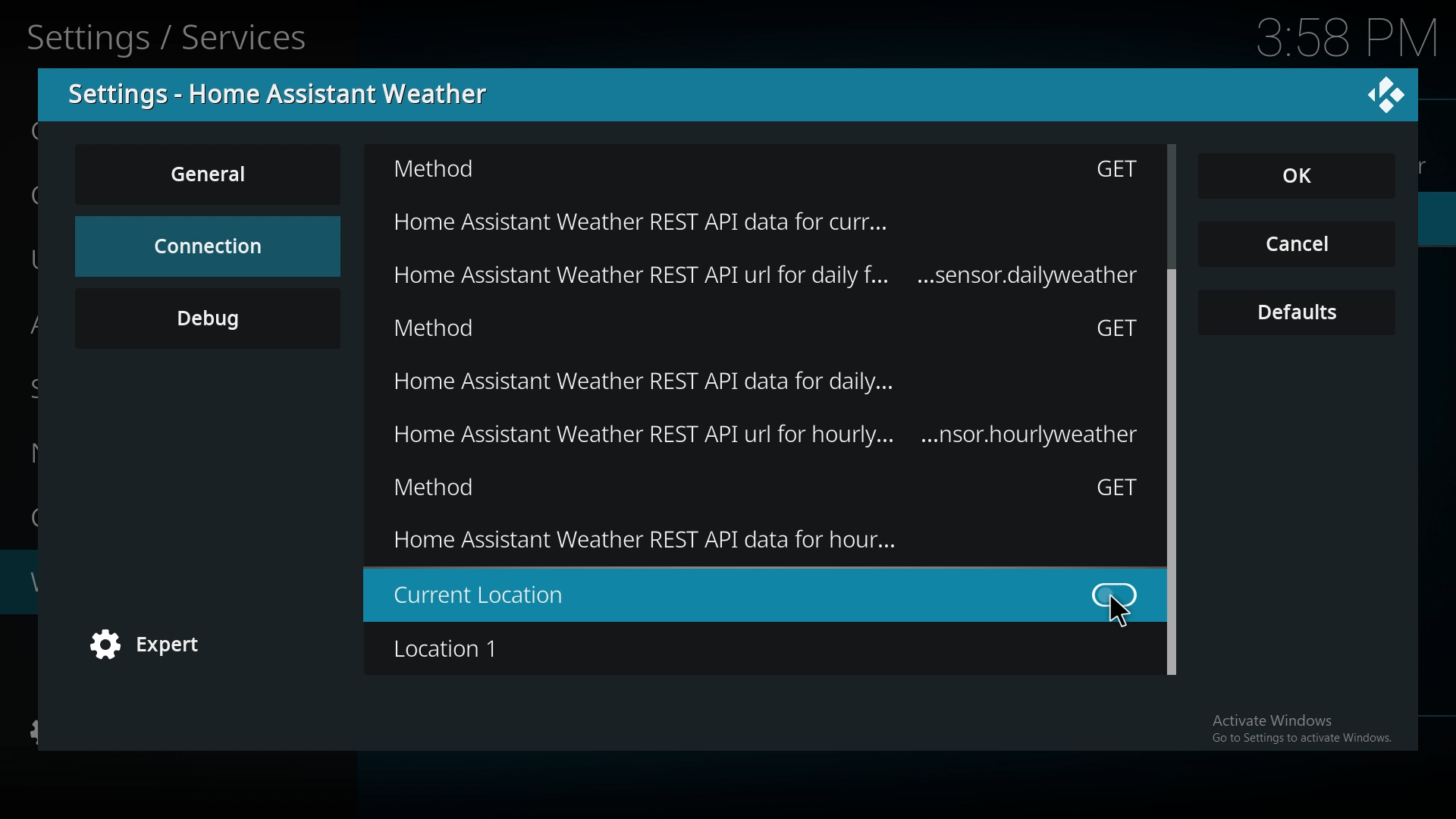 This screenshot has width=1456, height=819. I want to click on defaults, so click(1298, 313).